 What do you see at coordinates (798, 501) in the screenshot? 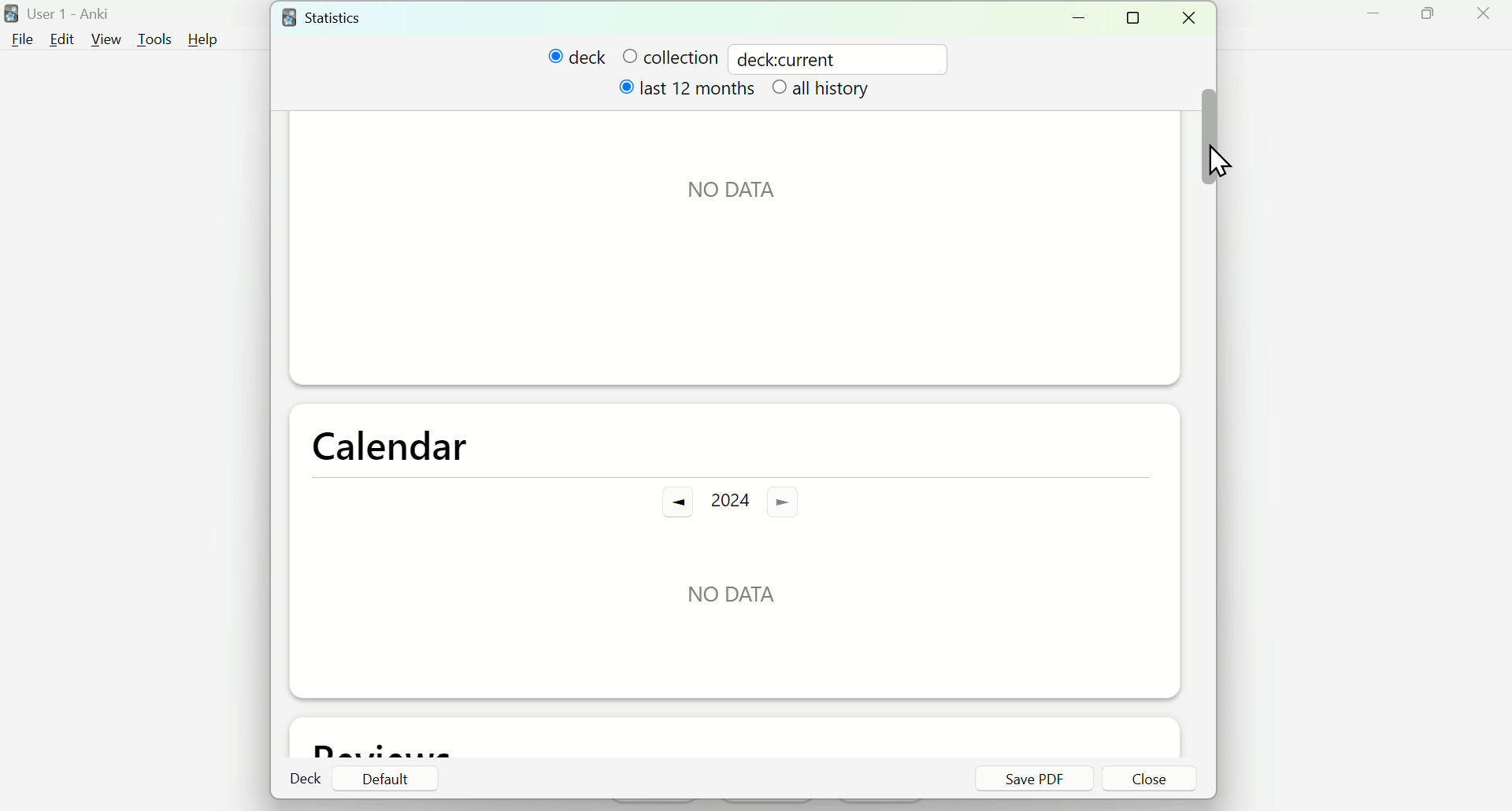
I see `Forward` at bounding box center [798, 501].